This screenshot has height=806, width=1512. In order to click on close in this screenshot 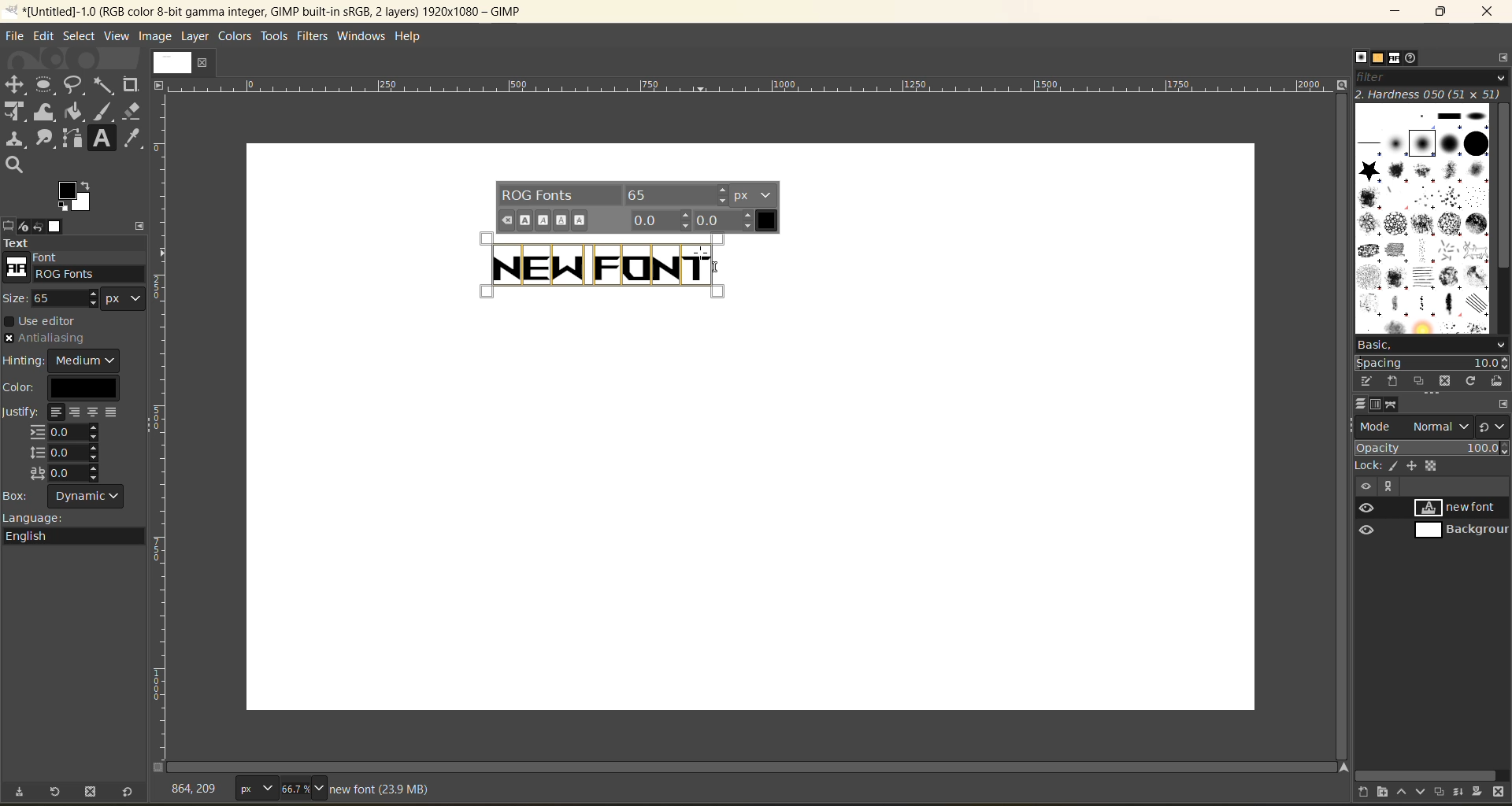, I will do `click(1489, 12)`.